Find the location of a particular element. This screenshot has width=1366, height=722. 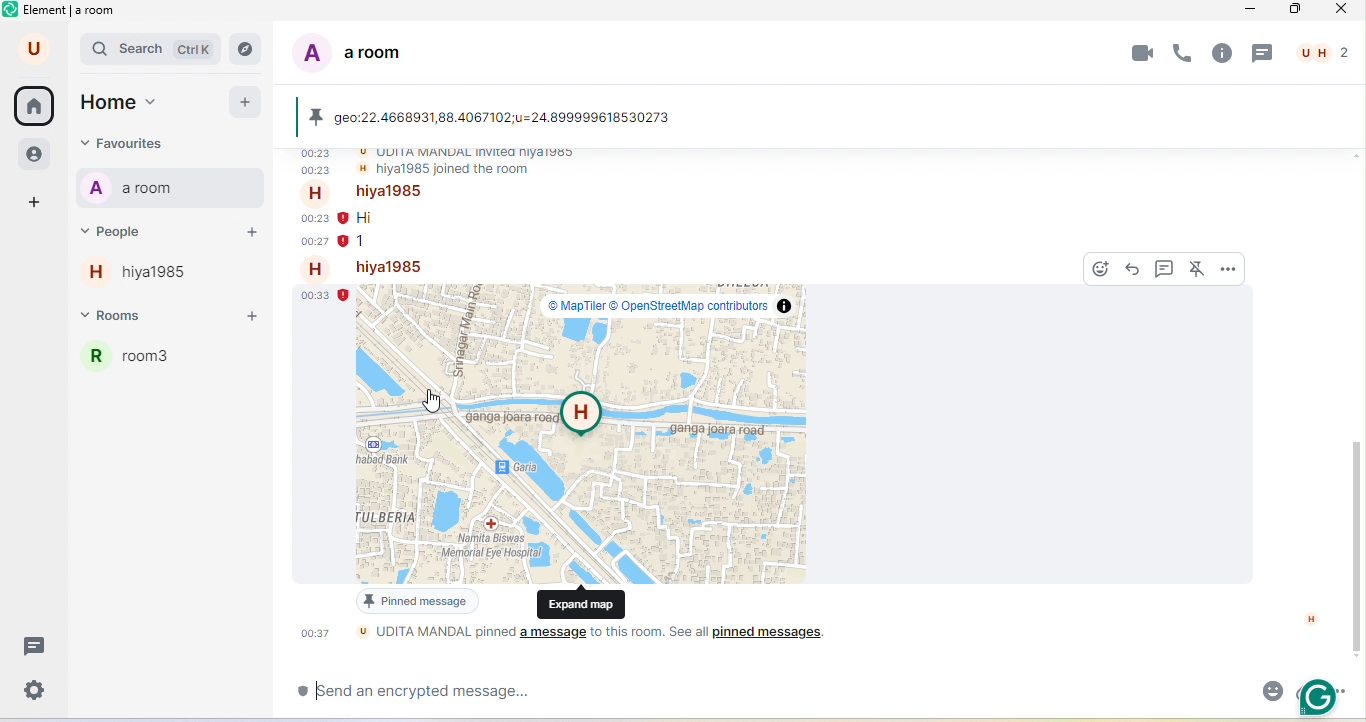

threads is located at coordinates (37, 647).